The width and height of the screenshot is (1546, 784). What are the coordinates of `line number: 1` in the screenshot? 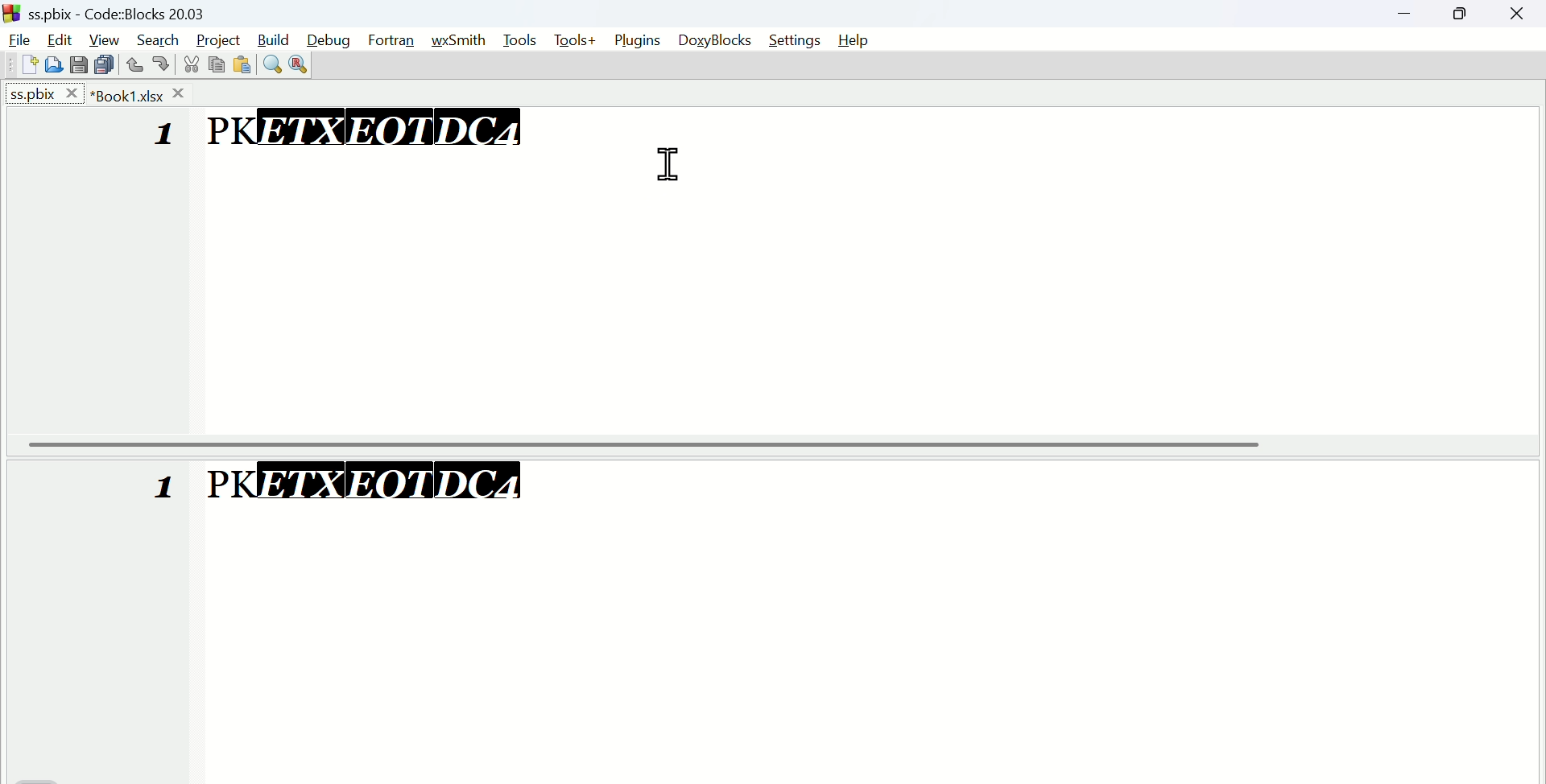 It's located at (165, 134).